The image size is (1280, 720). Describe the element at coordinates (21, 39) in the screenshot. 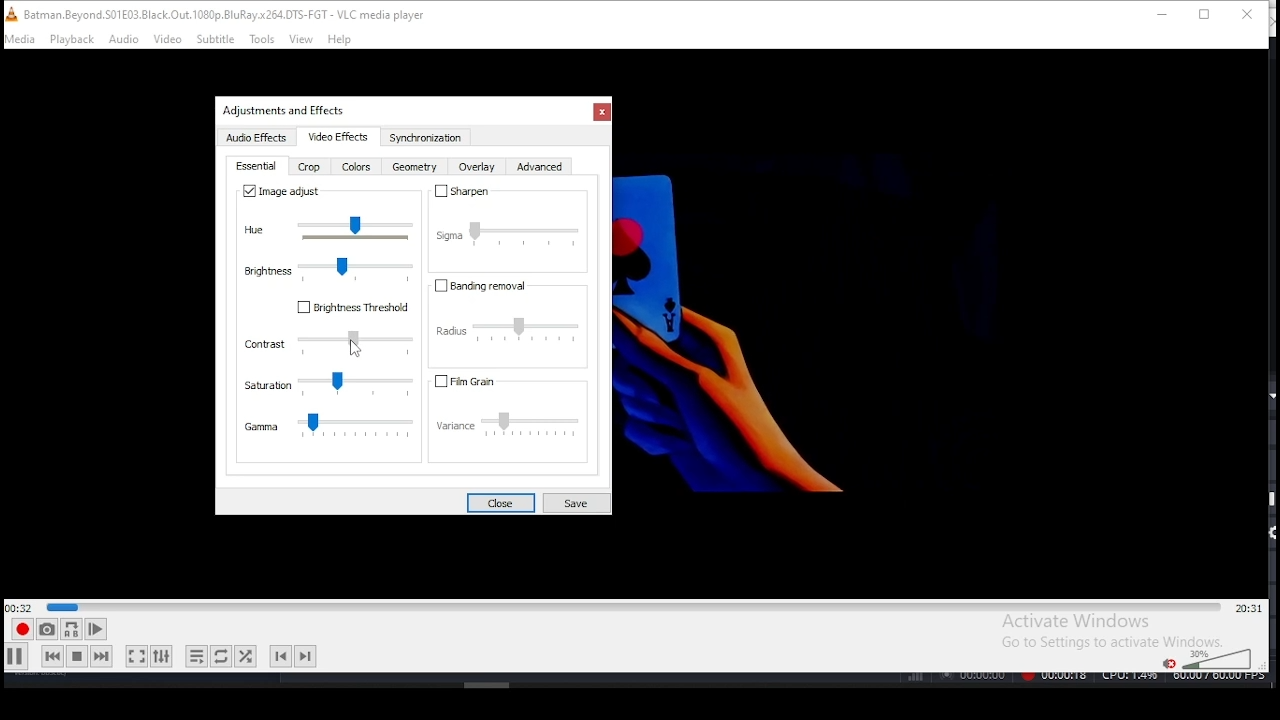

I see `media` at that location.